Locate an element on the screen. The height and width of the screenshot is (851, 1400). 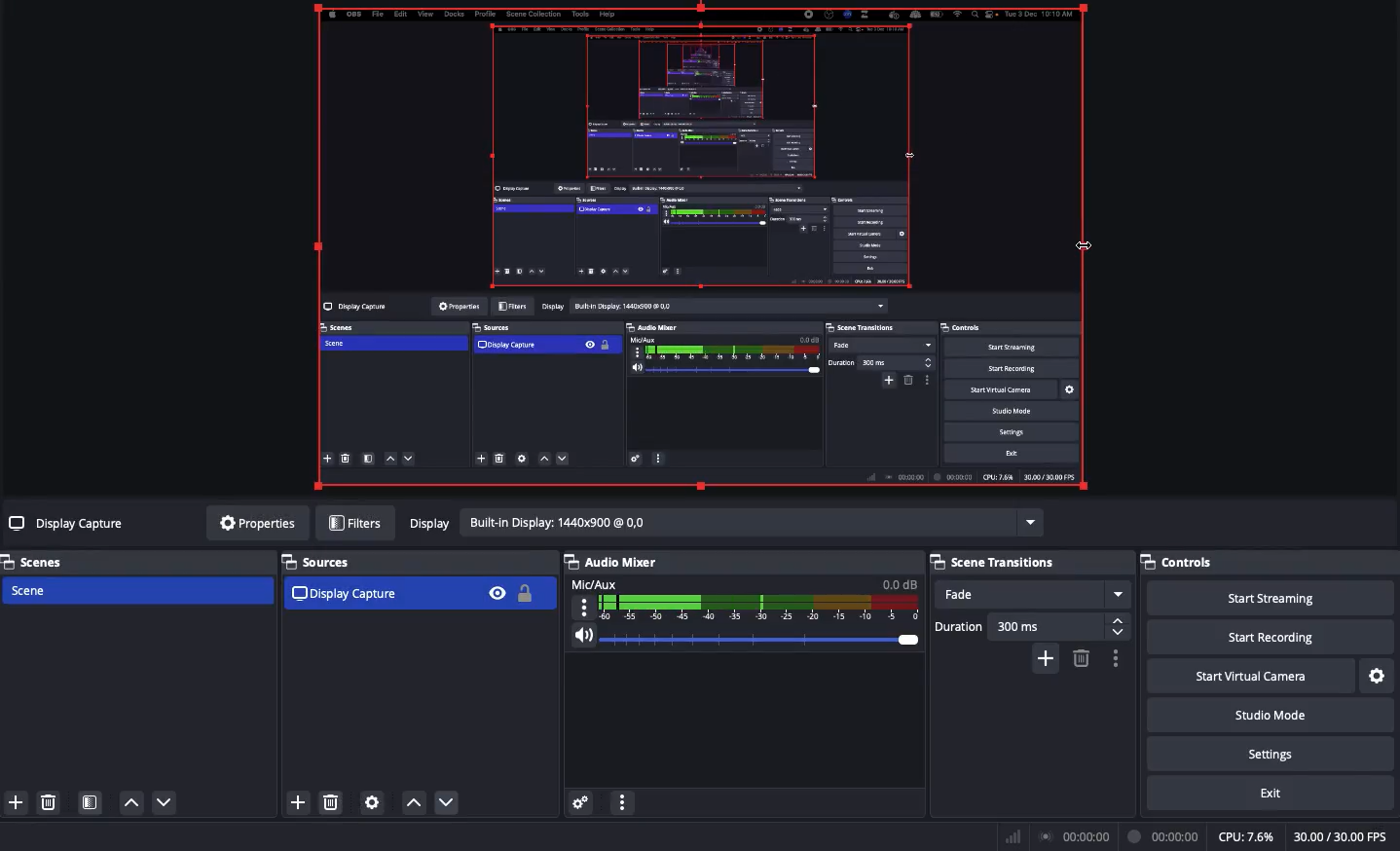
Exit is located at coordinates (1273, 792).